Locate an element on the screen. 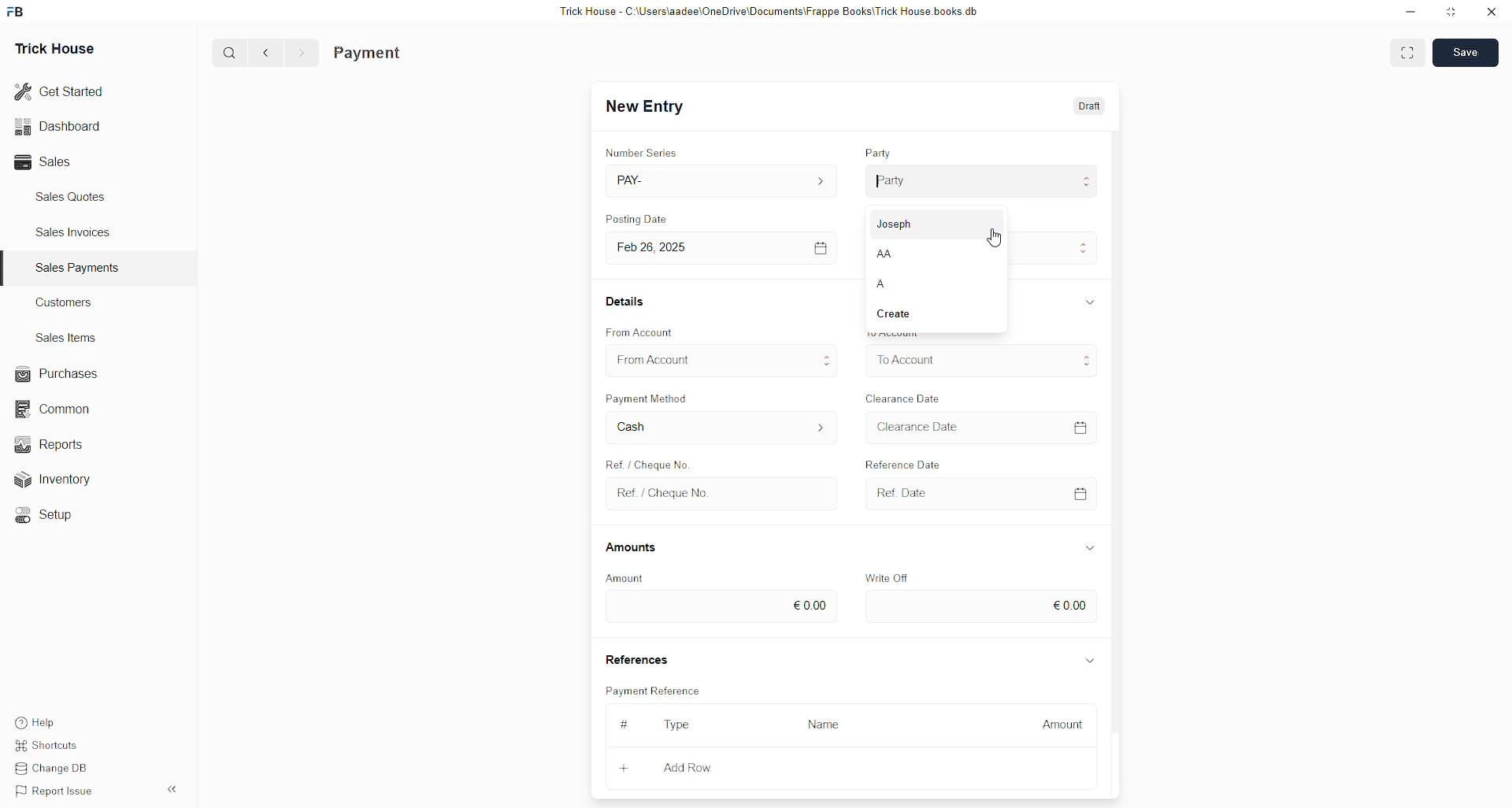  Sales is located at coordinates (47, 162).